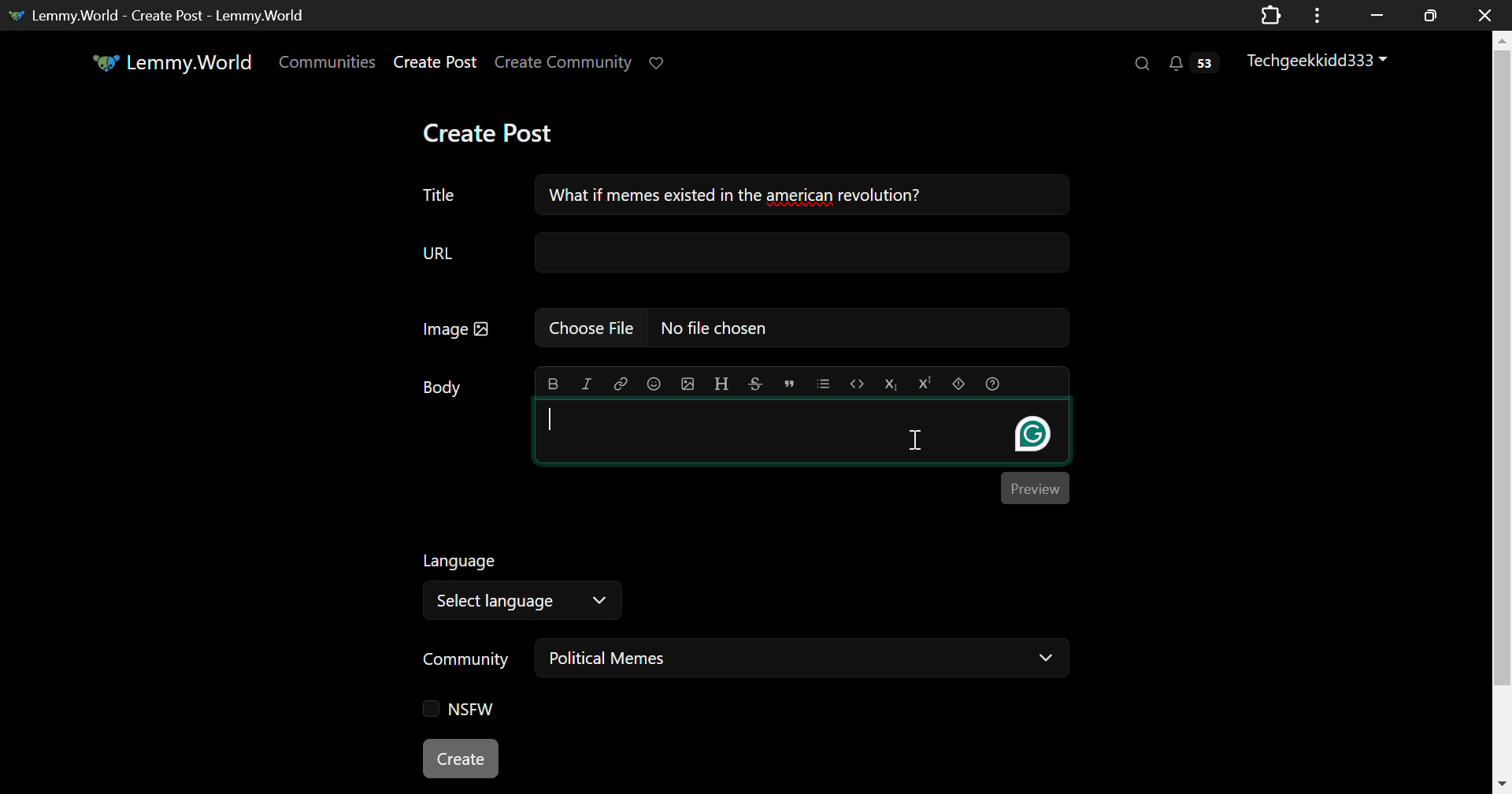 This screenshot has height=794, width=1512. Describe the element at coordinates (800, 195) in the screenshot. I see `What if memes existed in the american revolution?` at that location.